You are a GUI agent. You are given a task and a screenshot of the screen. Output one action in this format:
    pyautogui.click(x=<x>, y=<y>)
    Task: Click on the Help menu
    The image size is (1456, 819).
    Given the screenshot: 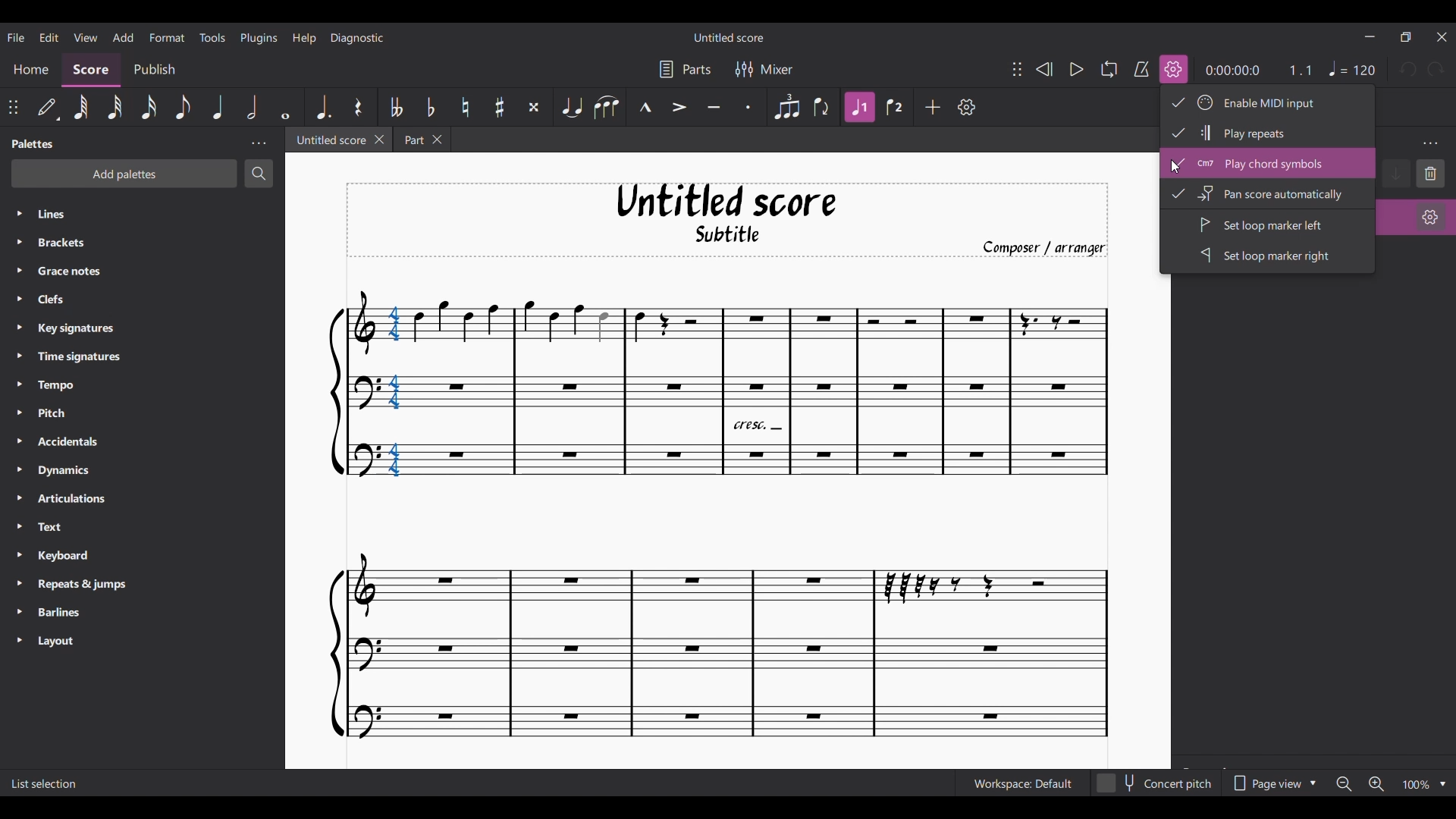 What is the action you would take?
    pyautogui.click(x=304, y=39)
    